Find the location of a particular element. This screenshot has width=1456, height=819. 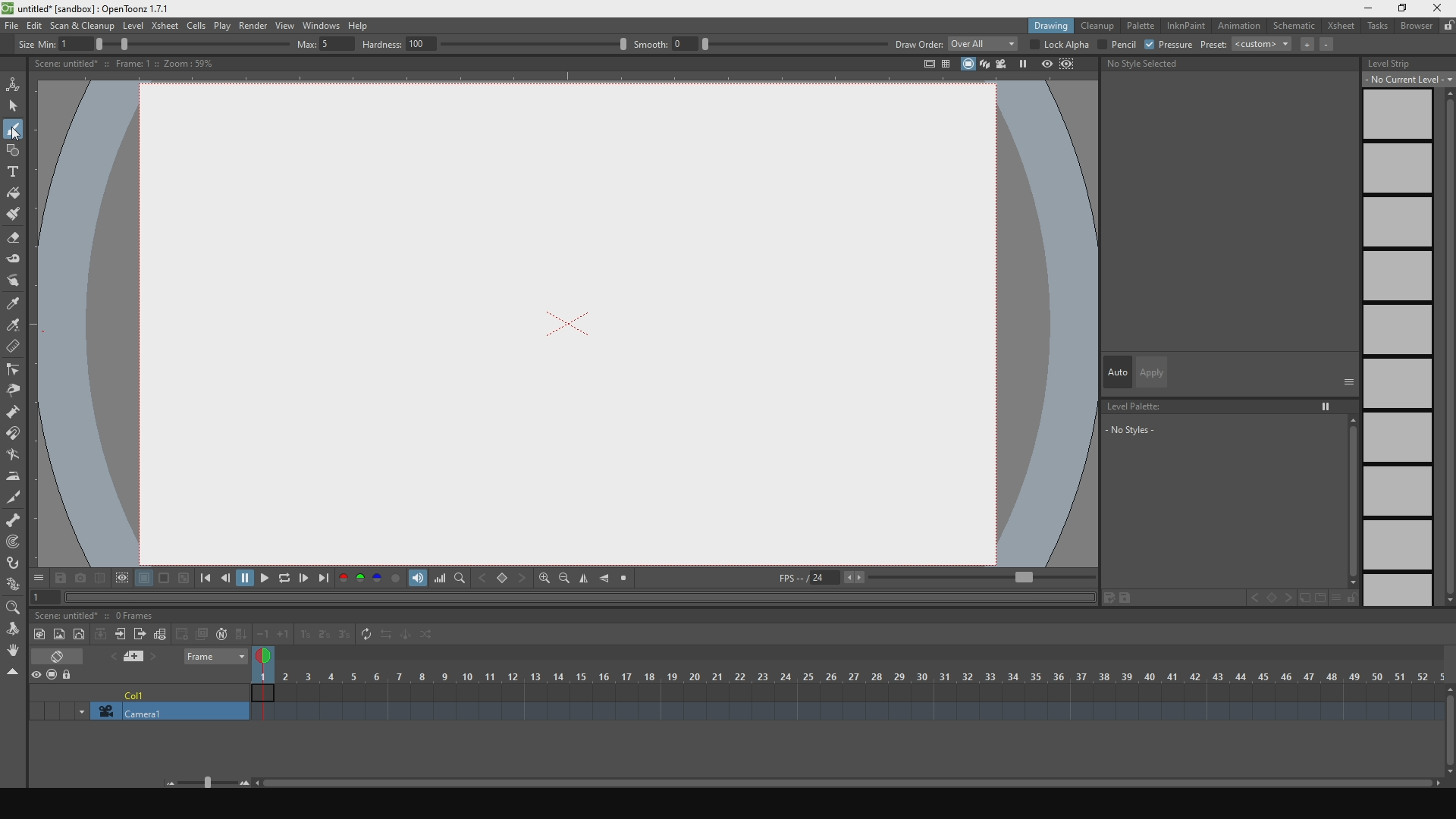

file is located at coordinates (10, 24).